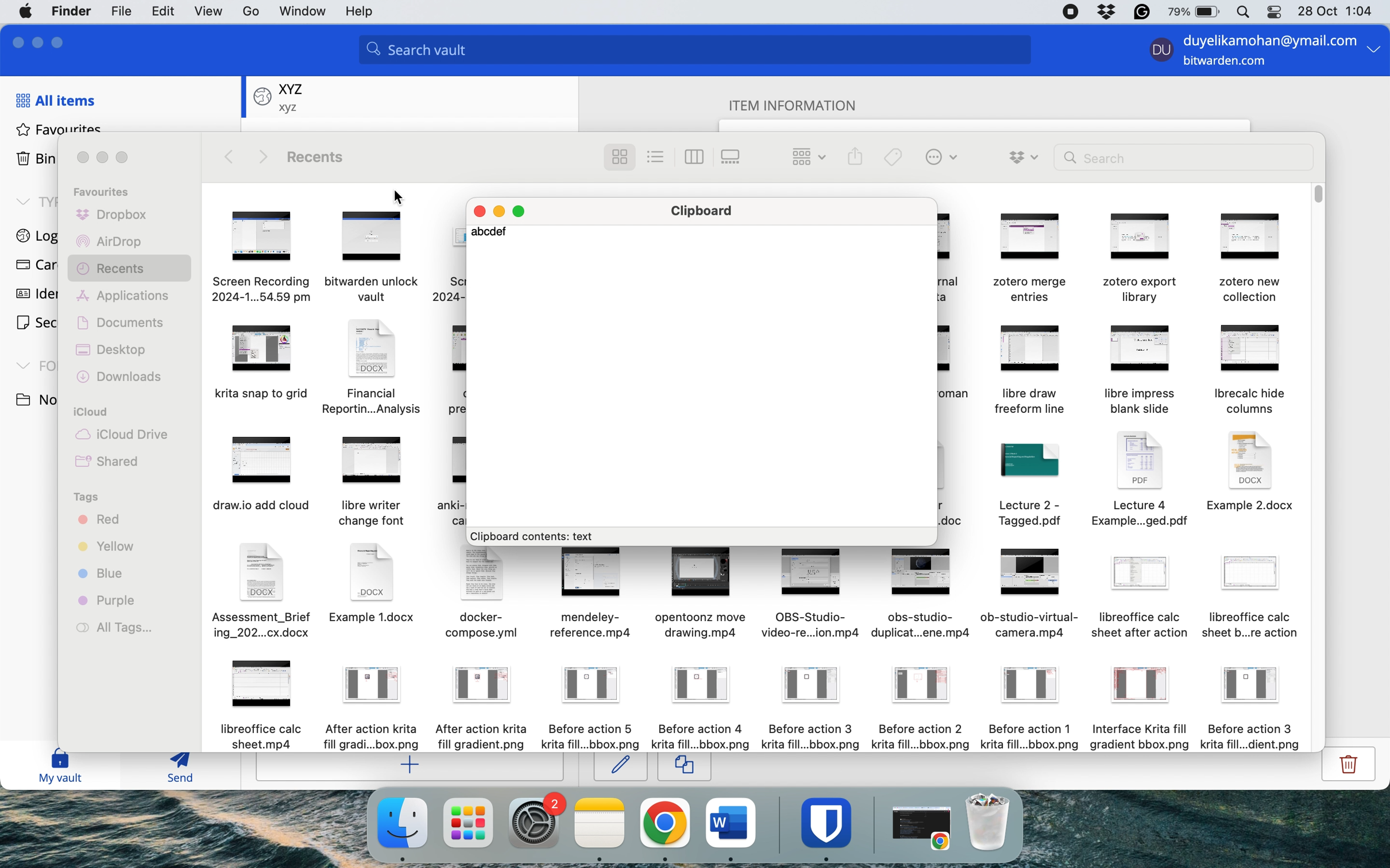 This screenshot has height=868, width=1390. What do you see at coordinates (321, 158) in the screenshot?
I see `recents` at bounding box center [321, 158].